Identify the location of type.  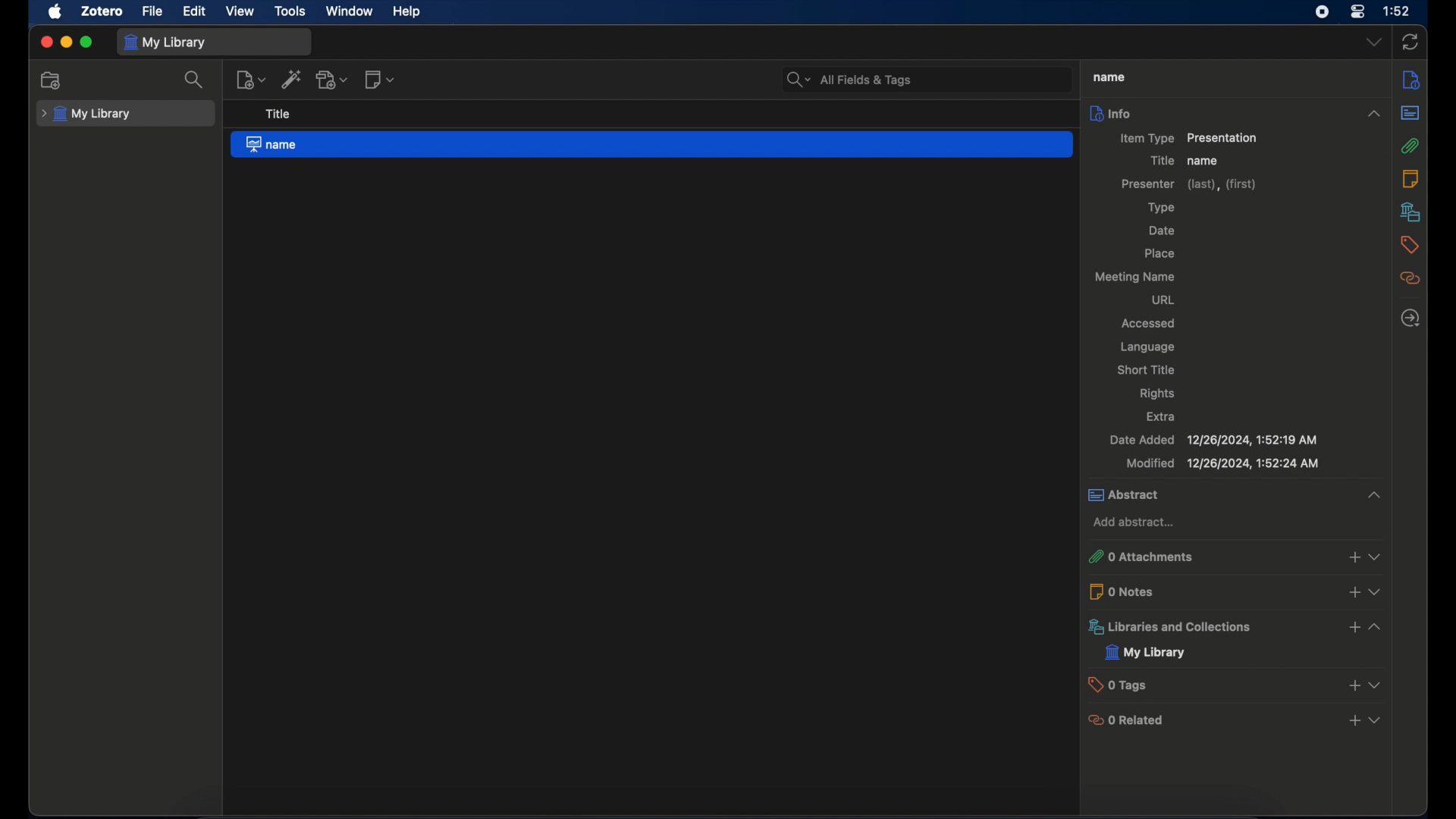
(1161, 208).